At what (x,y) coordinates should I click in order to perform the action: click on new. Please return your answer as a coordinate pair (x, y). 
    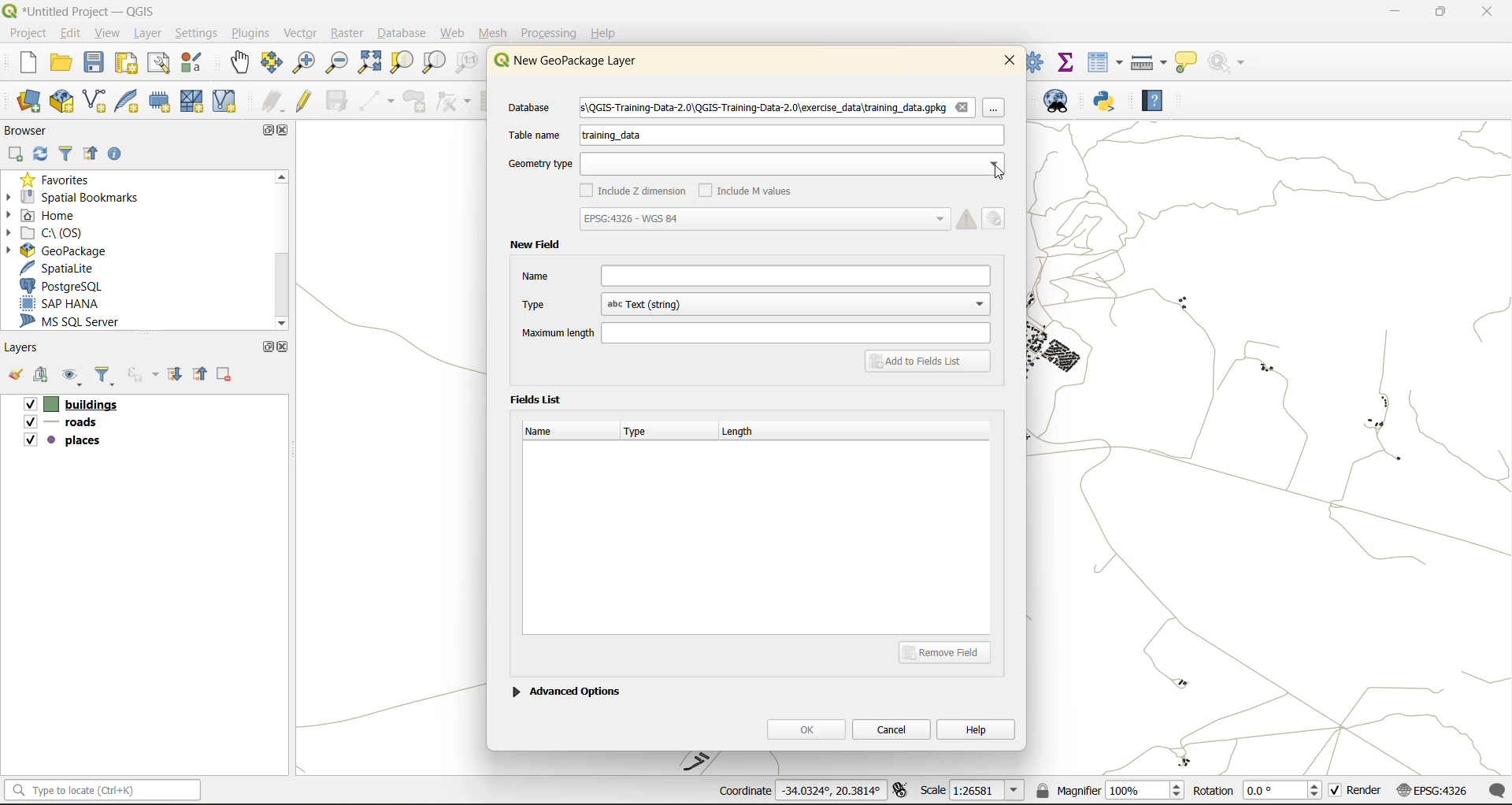
    Looking at the image, I should click on (20, 65).